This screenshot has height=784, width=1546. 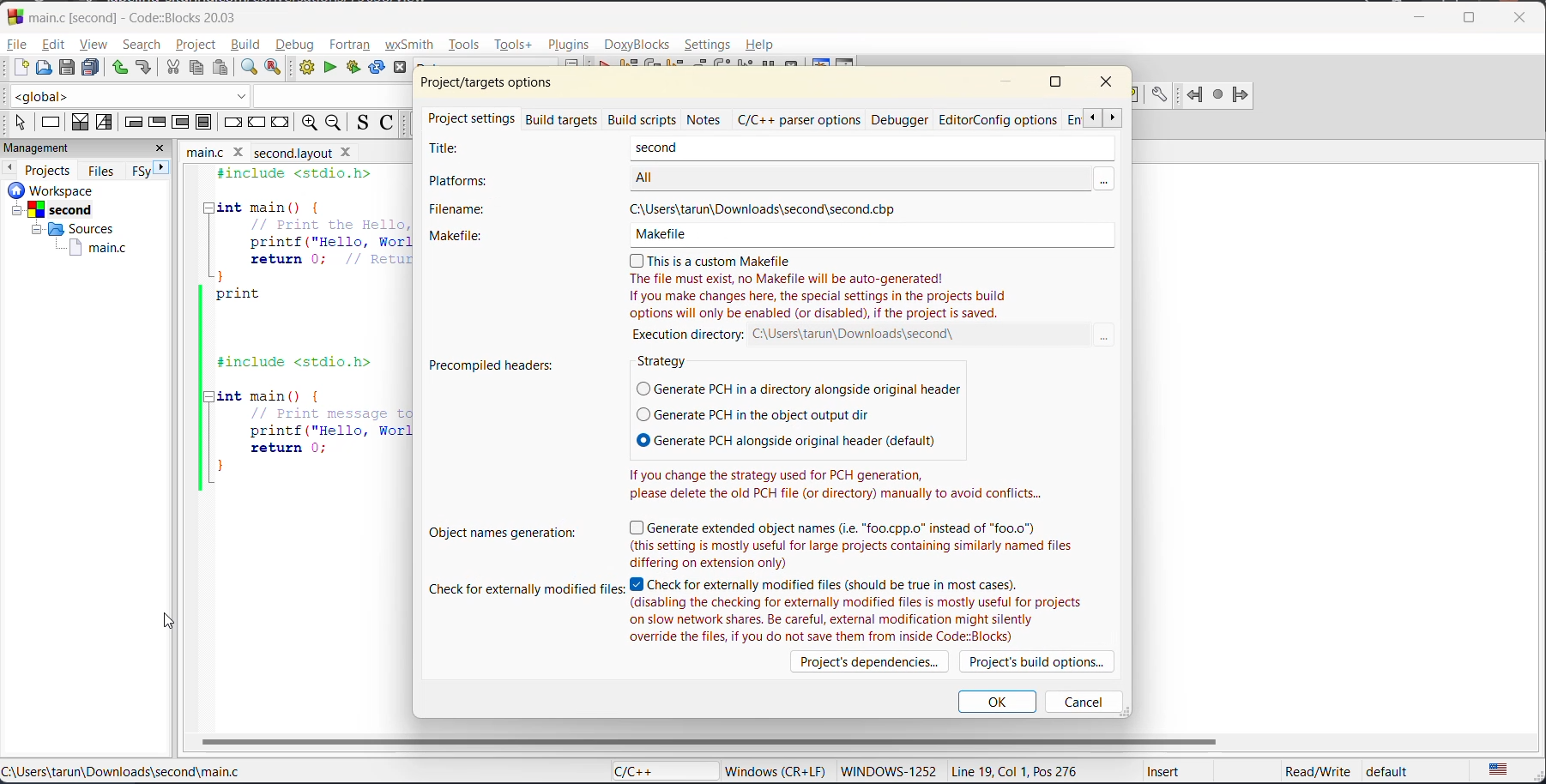 What do you see at coordinates (173, 69) in the screenshot?
I see `cut` at bounding box center [173, 69].